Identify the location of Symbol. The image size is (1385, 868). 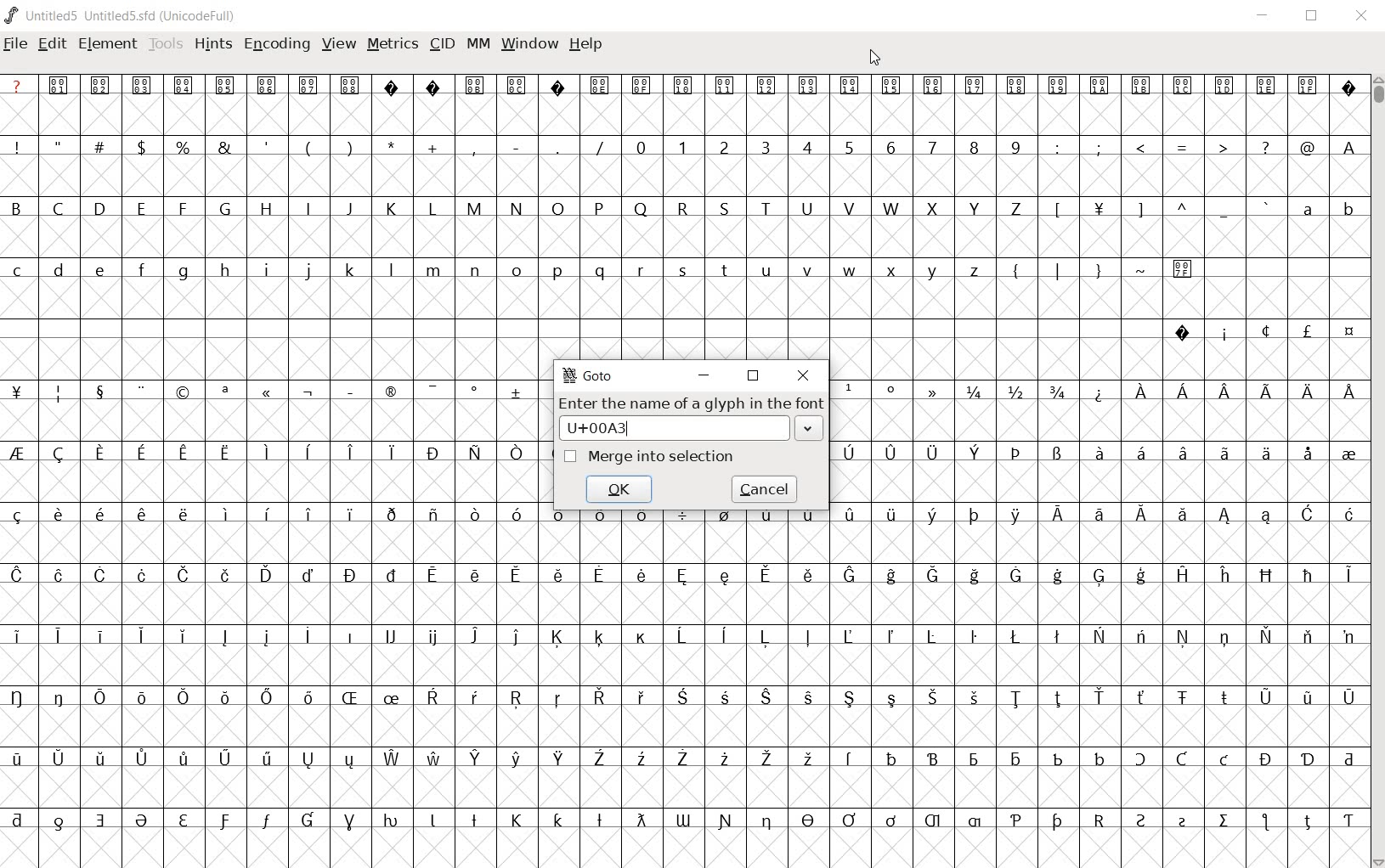
(724, 759).